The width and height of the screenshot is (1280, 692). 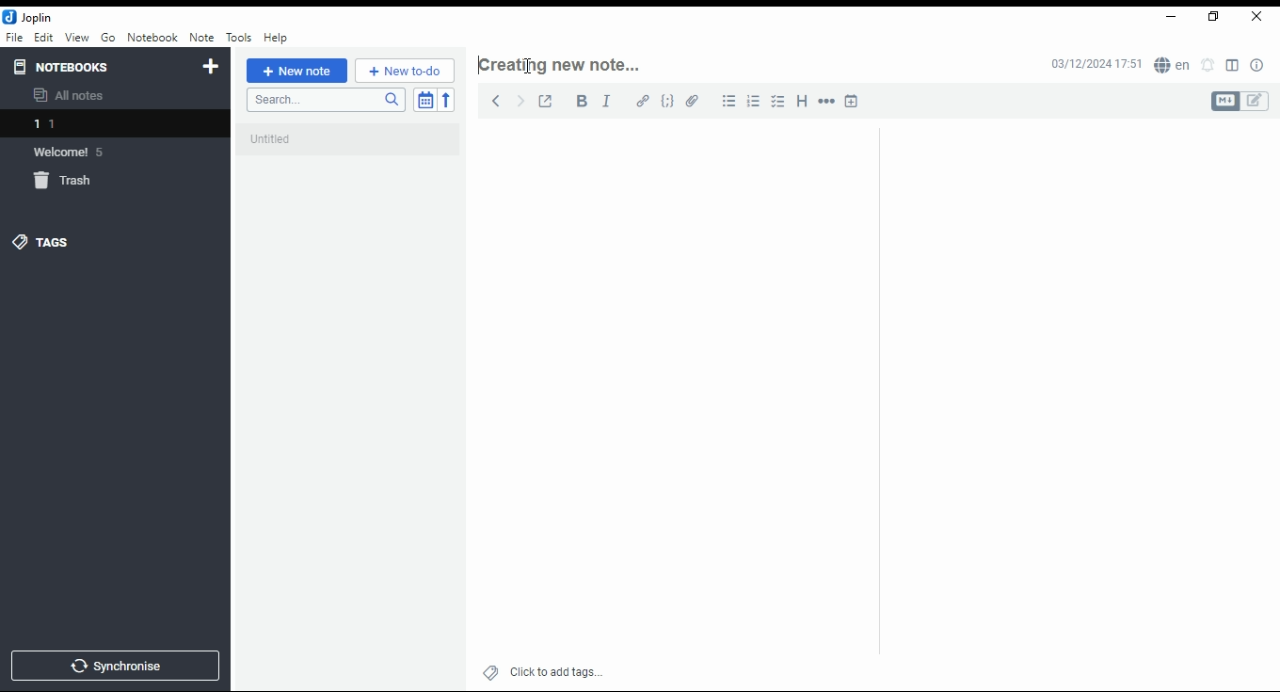 I want to click on heading, so click(x=803, y=102).